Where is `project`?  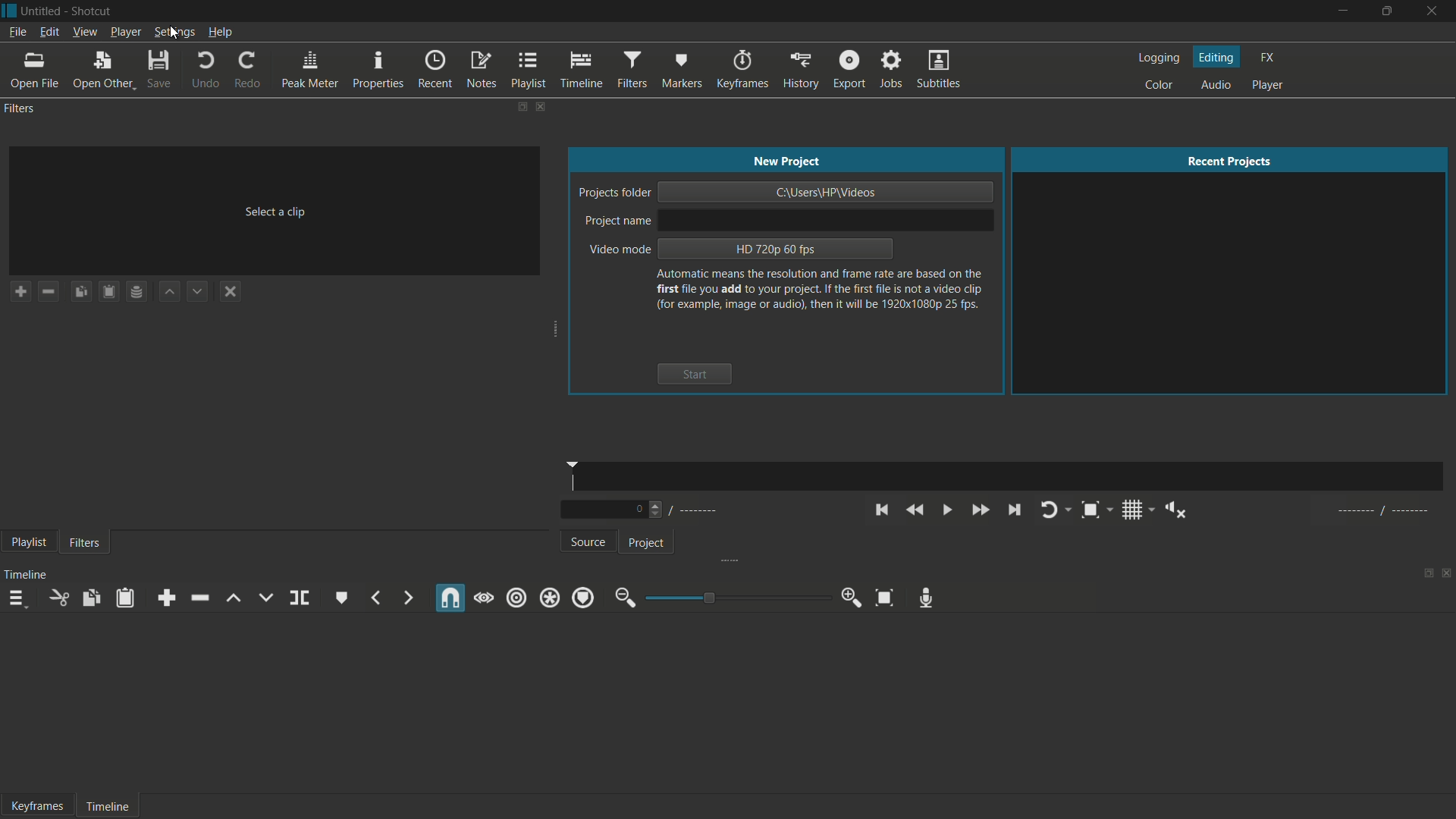 project is located at coordinates (645, 544).